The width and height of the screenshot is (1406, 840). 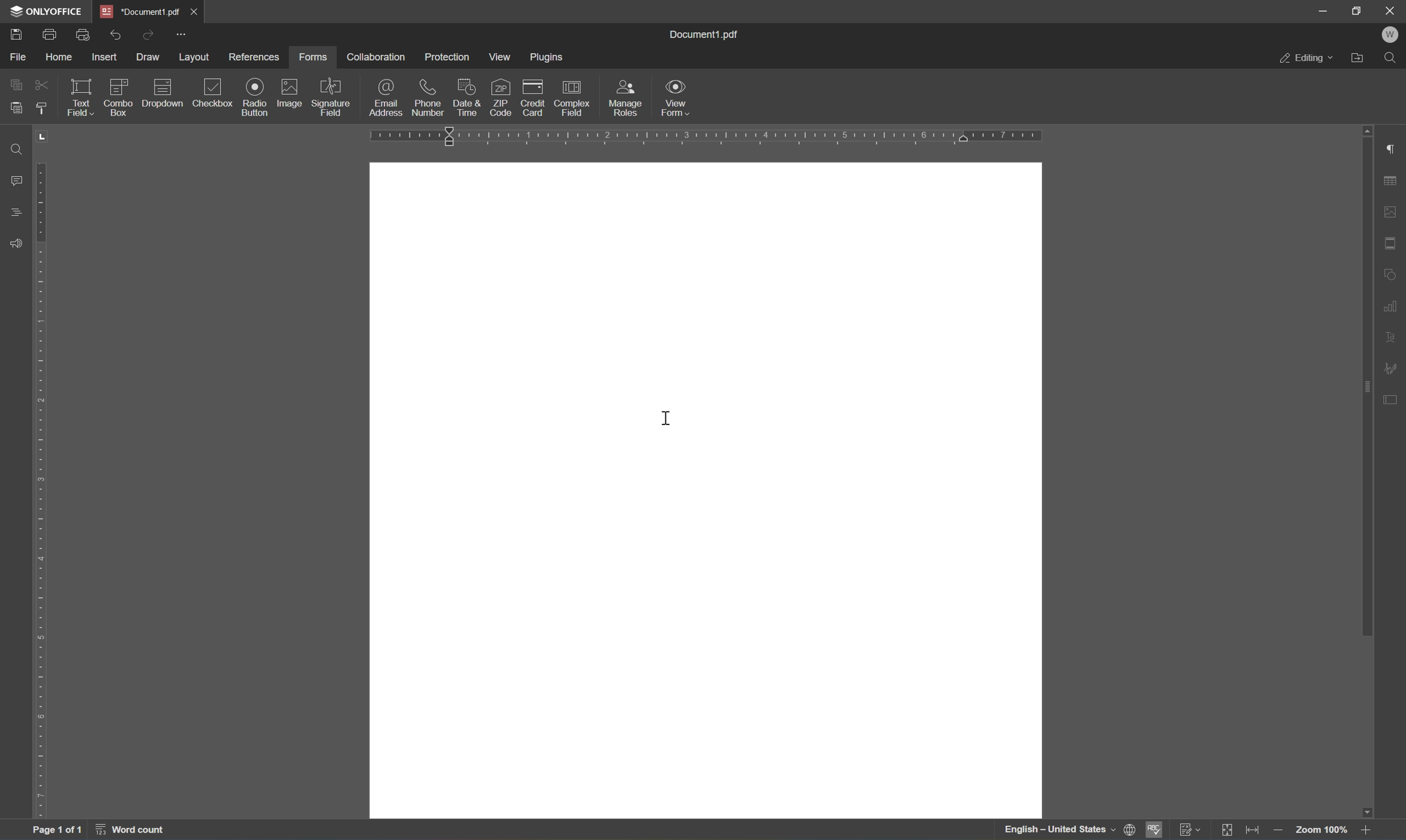 What do you see at coordinates (182, 34) in the screenshot?
I see `customize quick access toolbar` at bounding box center [182, 34].